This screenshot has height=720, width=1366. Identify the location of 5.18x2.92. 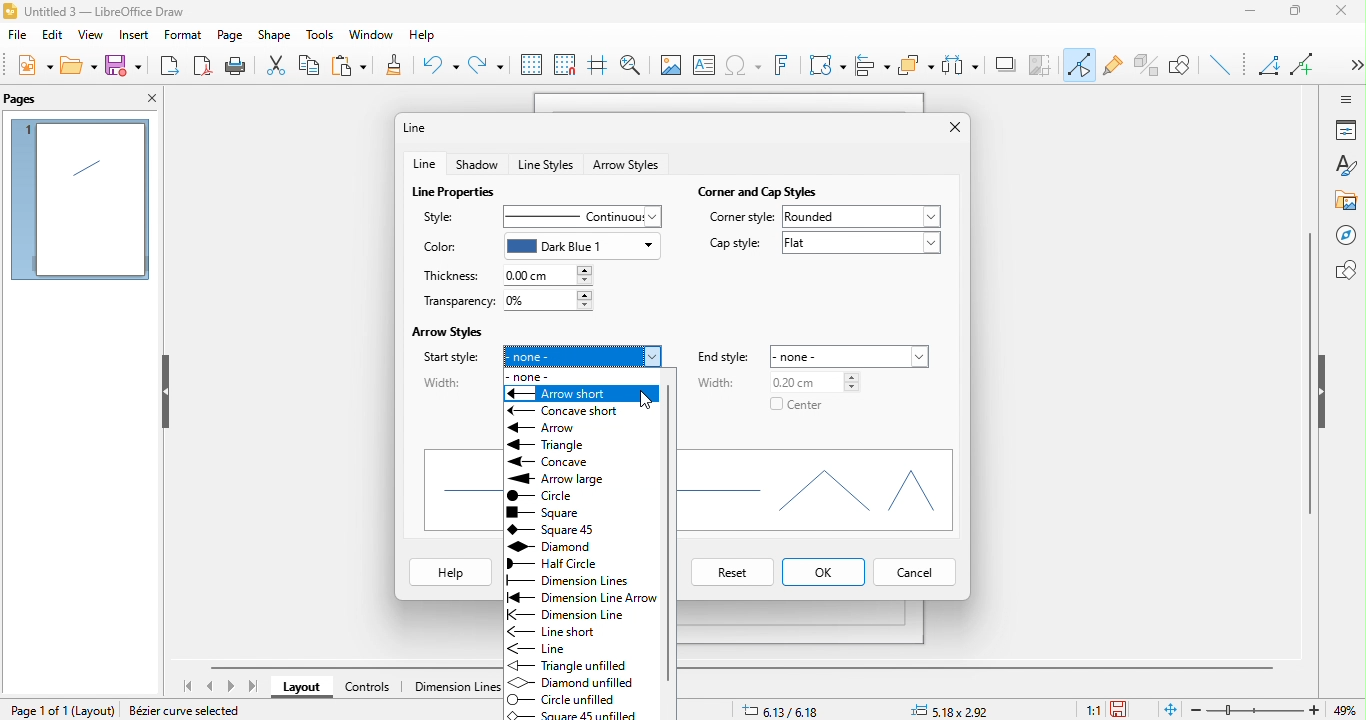
(957, 711).